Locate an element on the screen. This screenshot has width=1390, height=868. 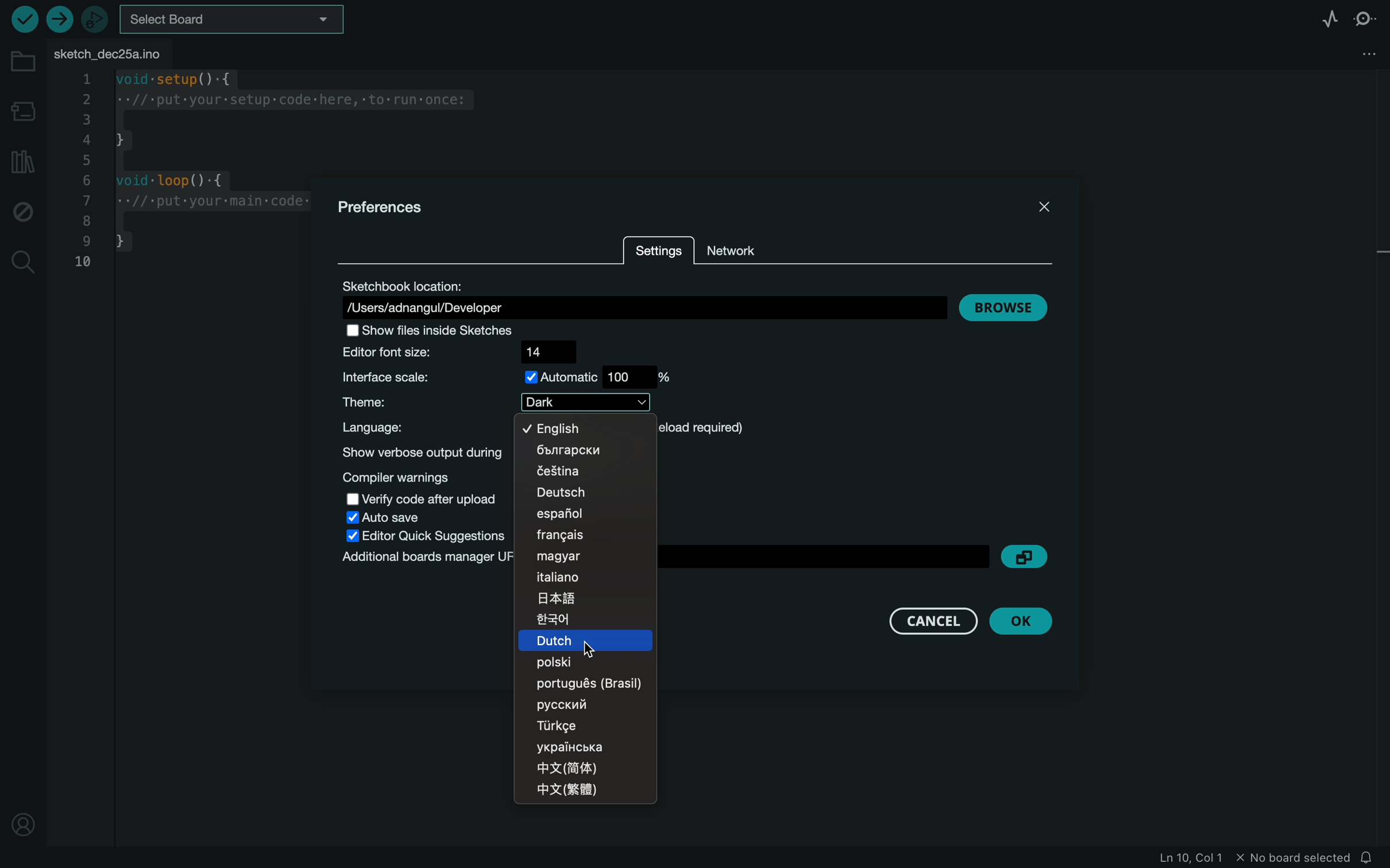
file  setting is located at coordinates (1356, 53).